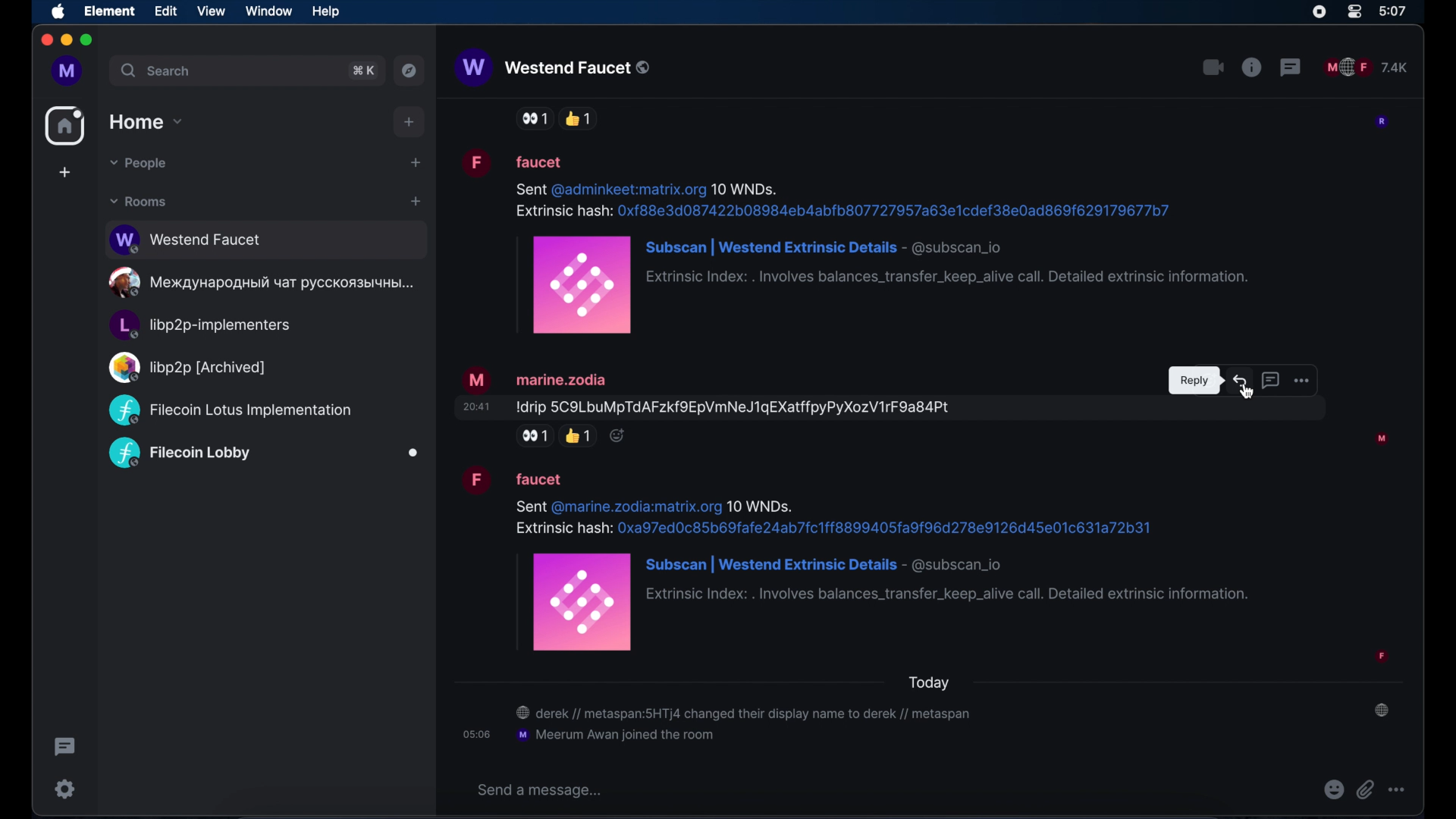  I want to click on window, so click(268, 12).